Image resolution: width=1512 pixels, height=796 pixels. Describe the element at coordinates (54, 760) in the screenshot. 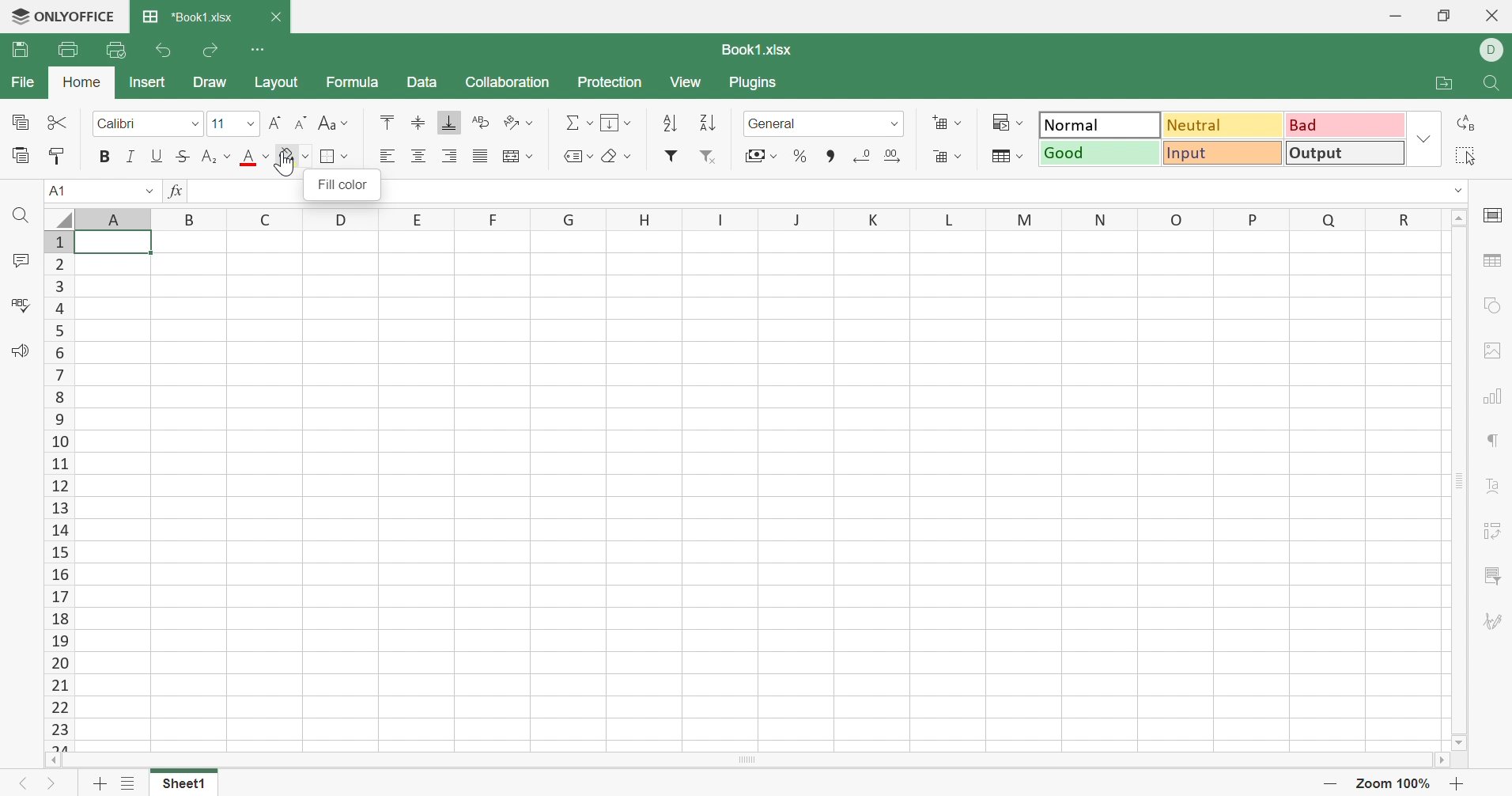

I see `Scroll Left` at that location.